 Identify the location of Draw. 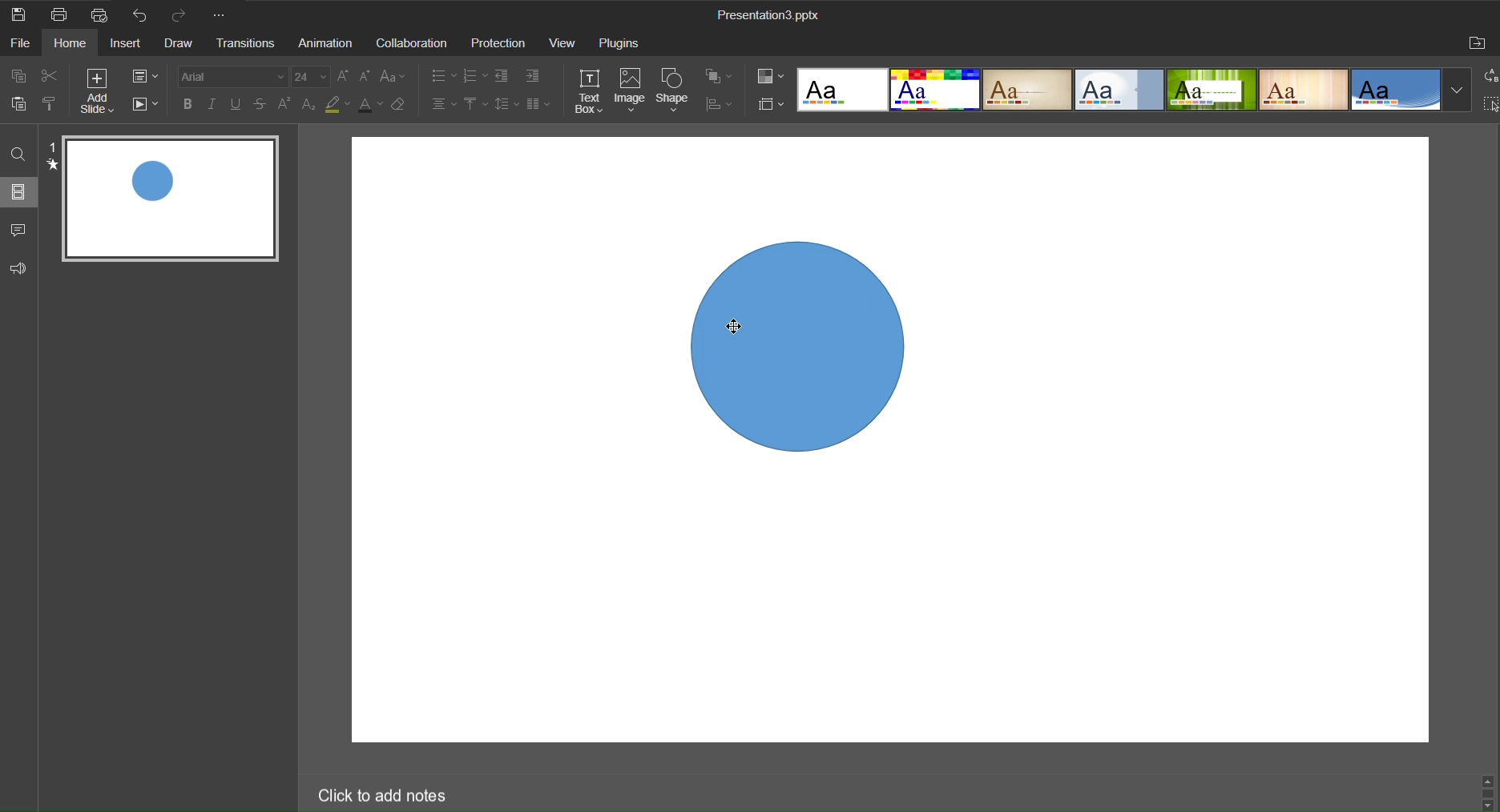
(182, 45).